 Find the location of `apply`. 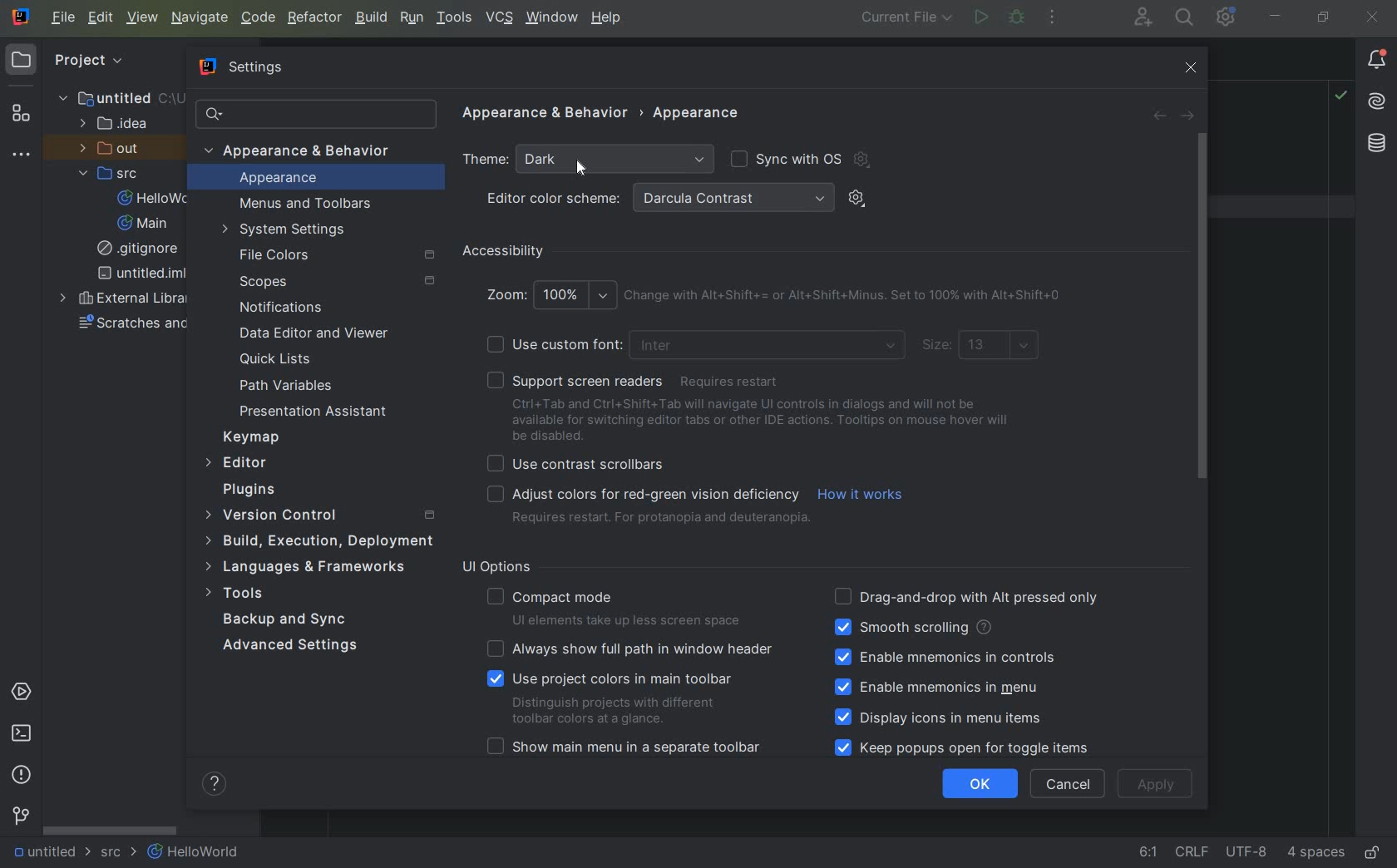

apply is located at coordinates (1158, 784).